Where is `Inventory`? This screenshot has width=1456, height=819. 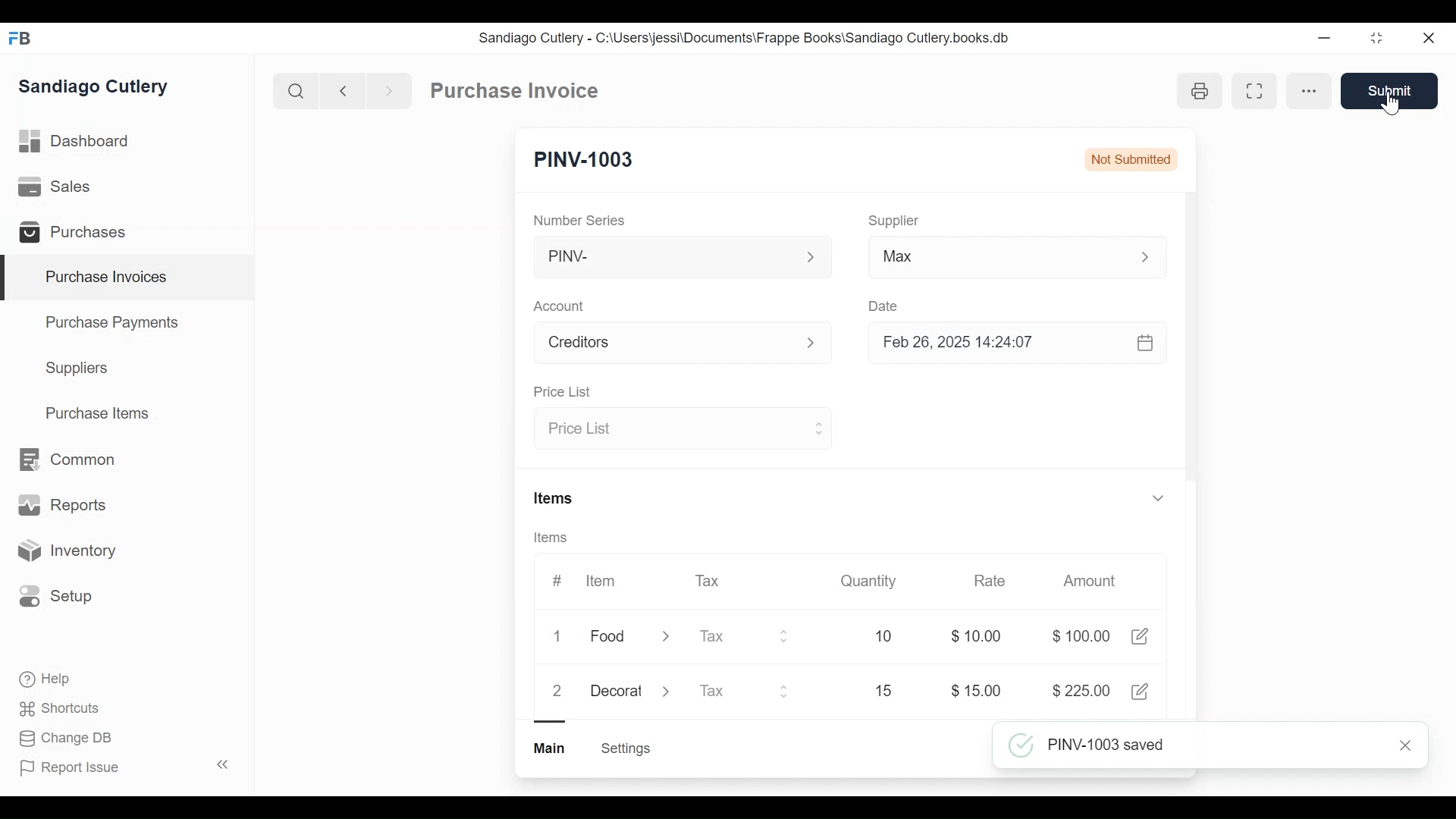 Inventory is located at coordinates (65, 551).